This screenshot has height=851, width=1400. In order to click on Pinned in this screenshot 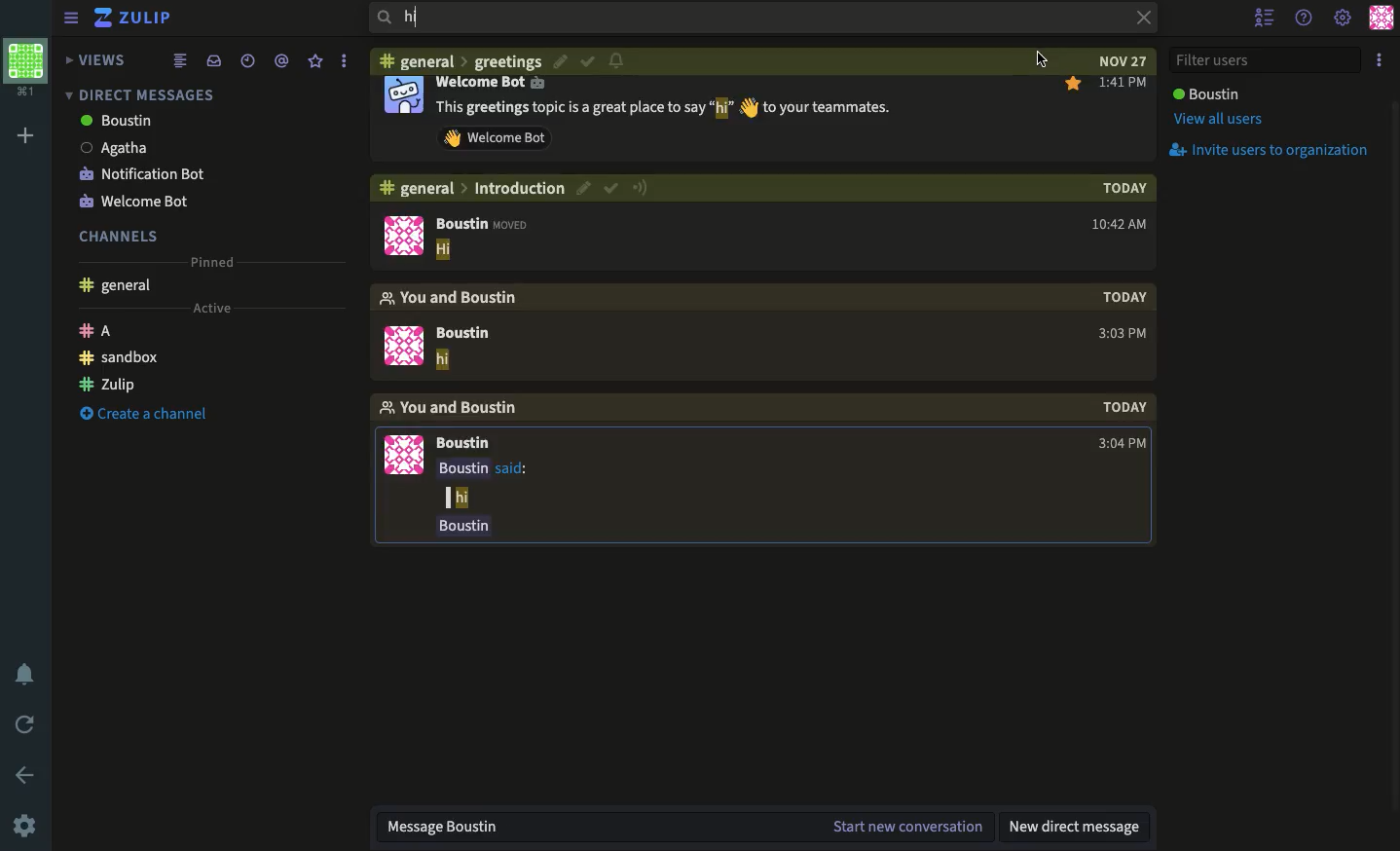, I will do `click(212, 263)`.